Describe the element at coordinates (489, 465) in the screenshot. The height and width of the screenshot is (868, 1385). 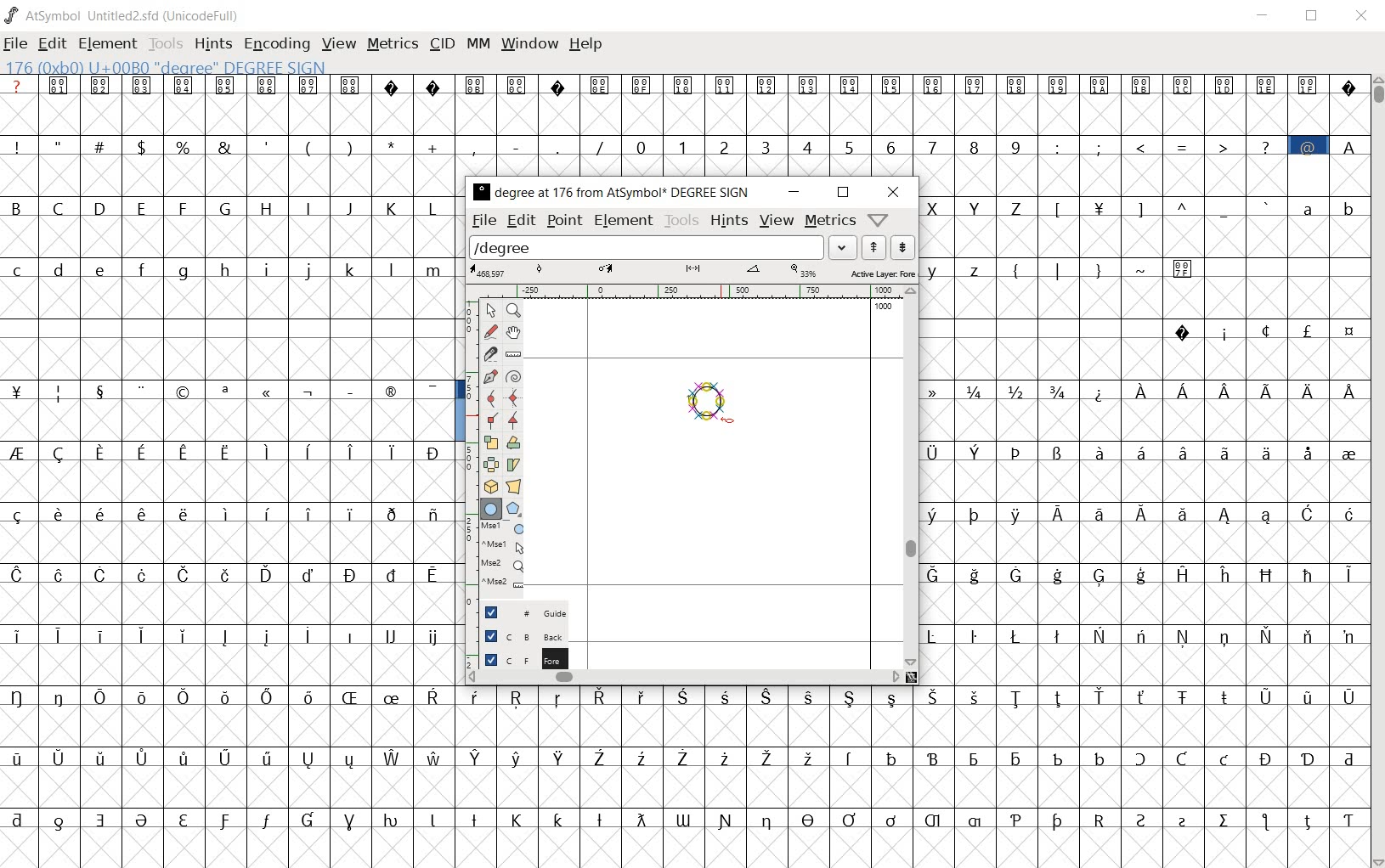
I see `flip the selection` at that location.